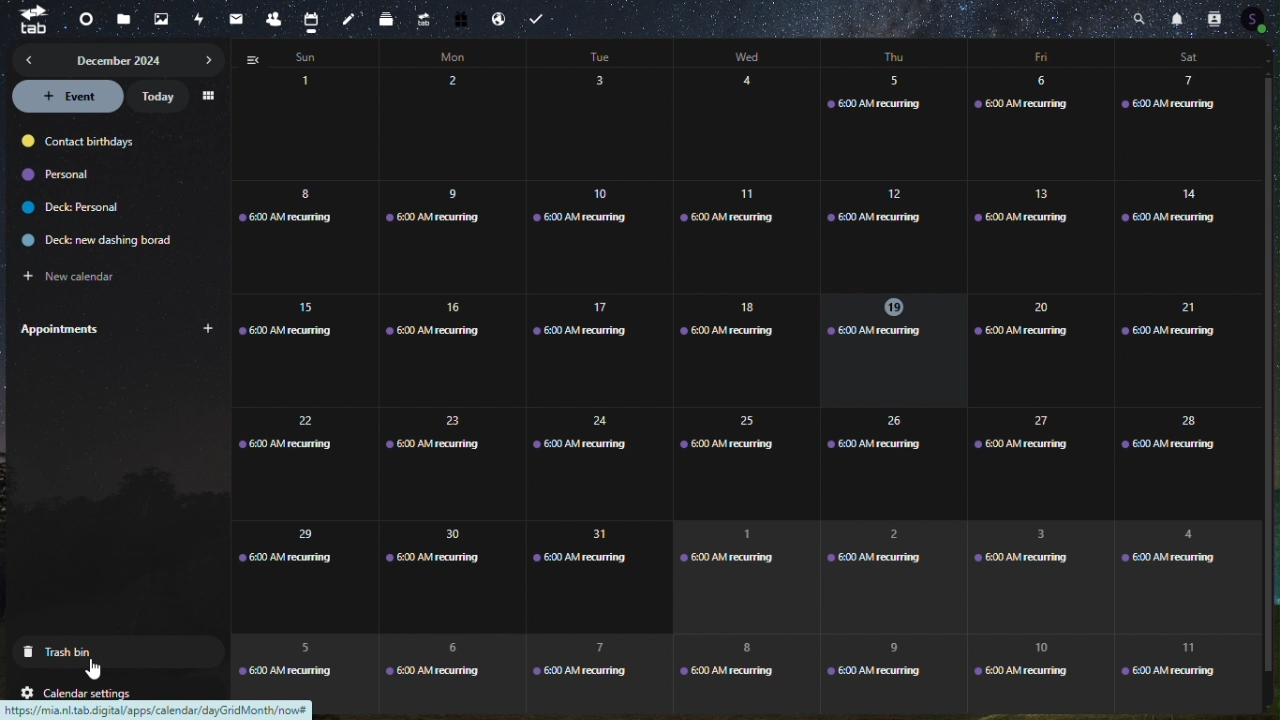 This screenshot has height=720, width=1280. Describe the element at coordinates (121, 17) in the screenshot. I see `files` at that location.